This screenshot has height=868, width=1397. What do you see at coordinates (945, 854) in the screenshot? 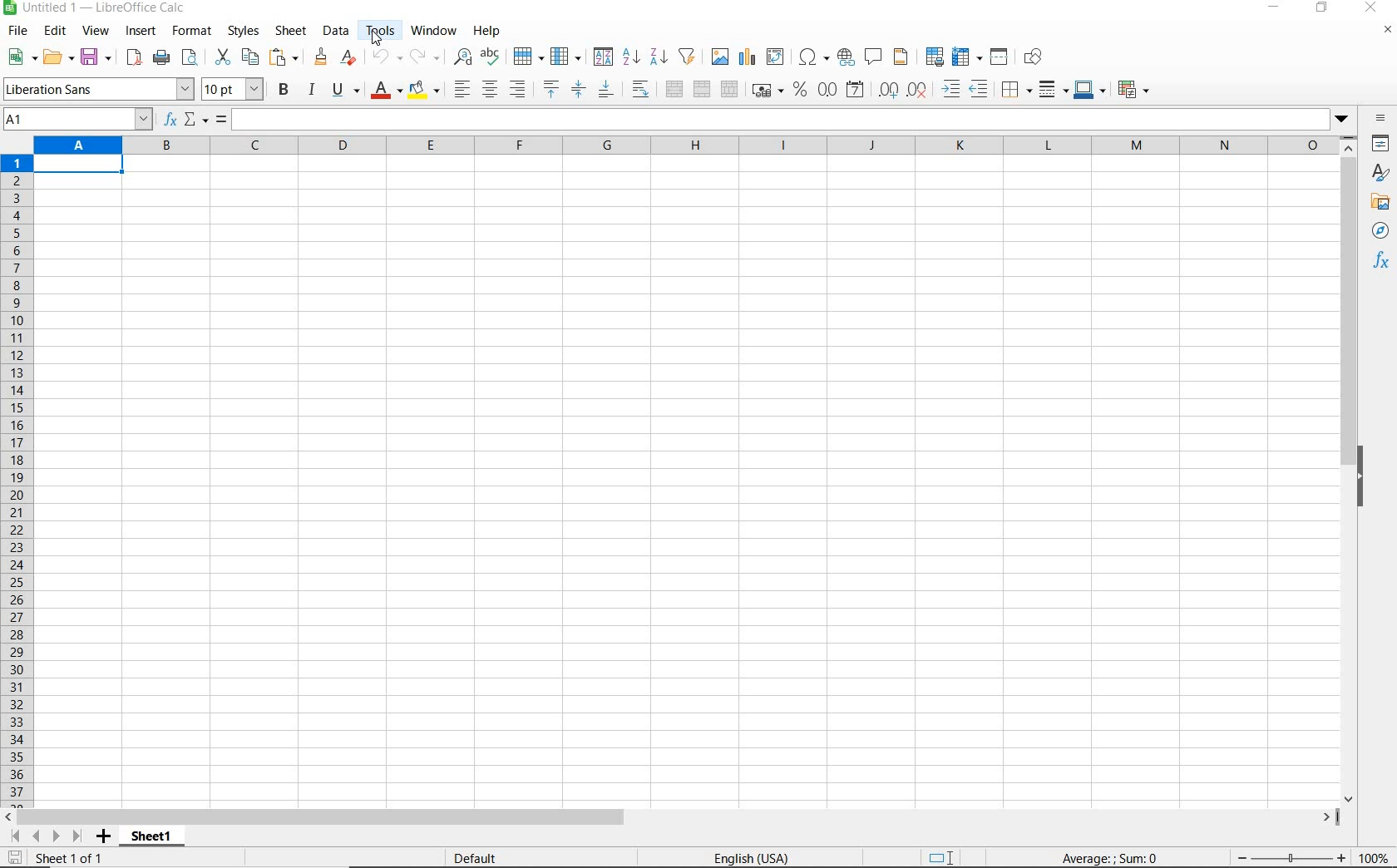
I see `STANDARD SELECTION` at bounding box center [945, 854].